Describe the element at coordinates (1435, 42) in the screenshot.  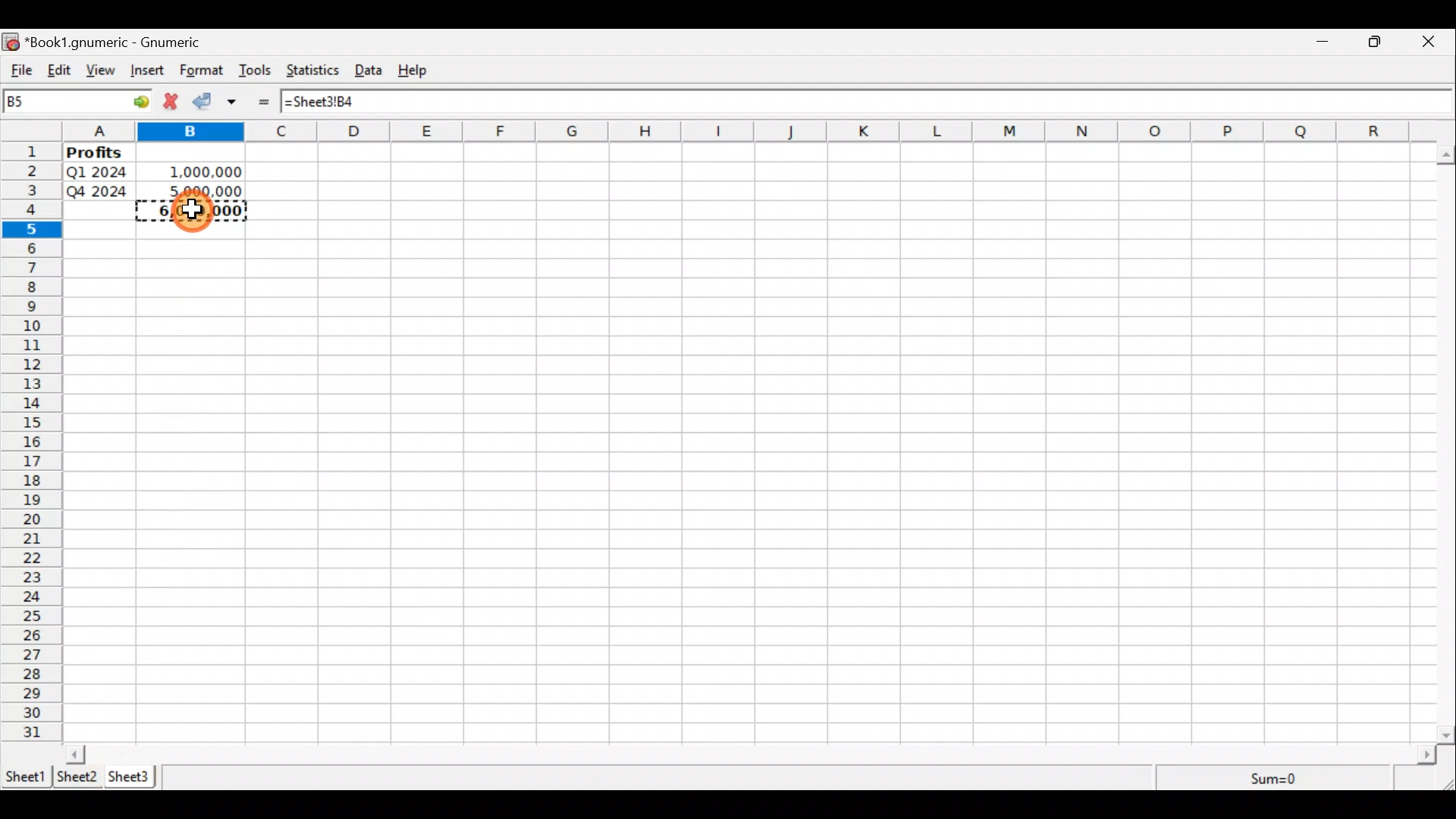
I see `Close` at that location.